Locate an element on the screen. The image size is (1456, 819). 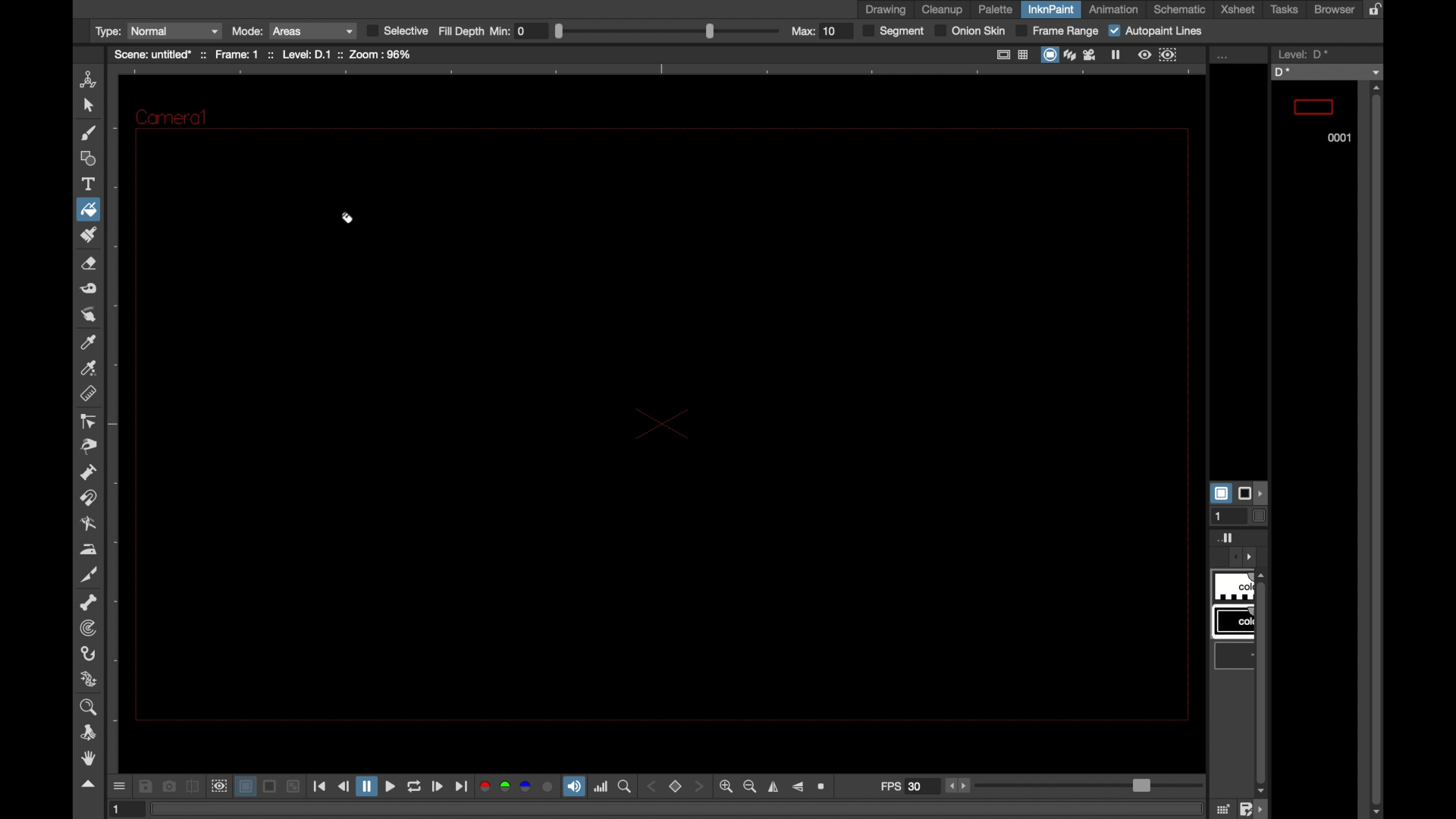
tasks is located at coordinates (1283, 10).